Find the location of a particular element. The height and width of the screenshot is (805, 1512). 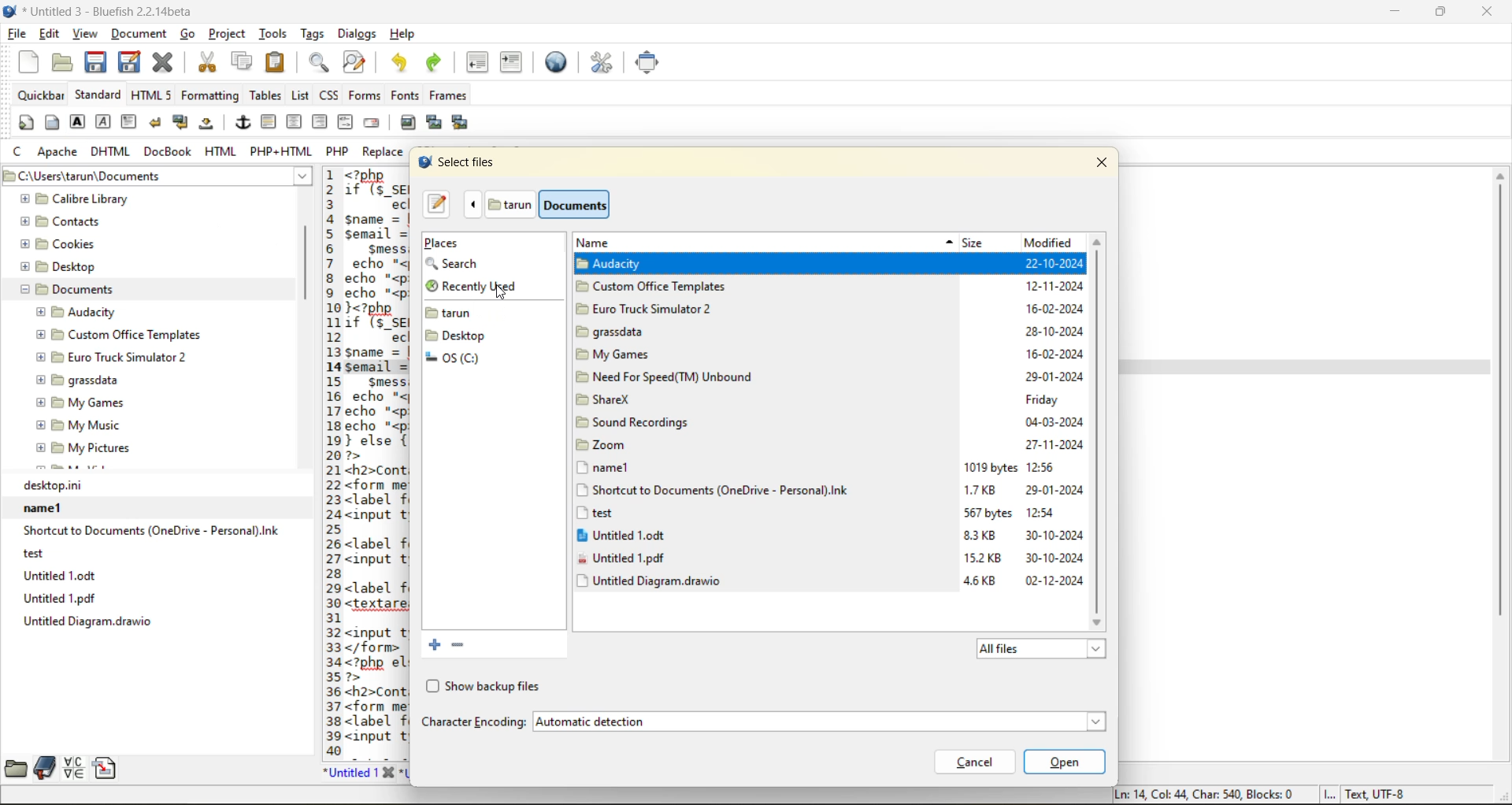

forms is located at coordinates (362, 95).